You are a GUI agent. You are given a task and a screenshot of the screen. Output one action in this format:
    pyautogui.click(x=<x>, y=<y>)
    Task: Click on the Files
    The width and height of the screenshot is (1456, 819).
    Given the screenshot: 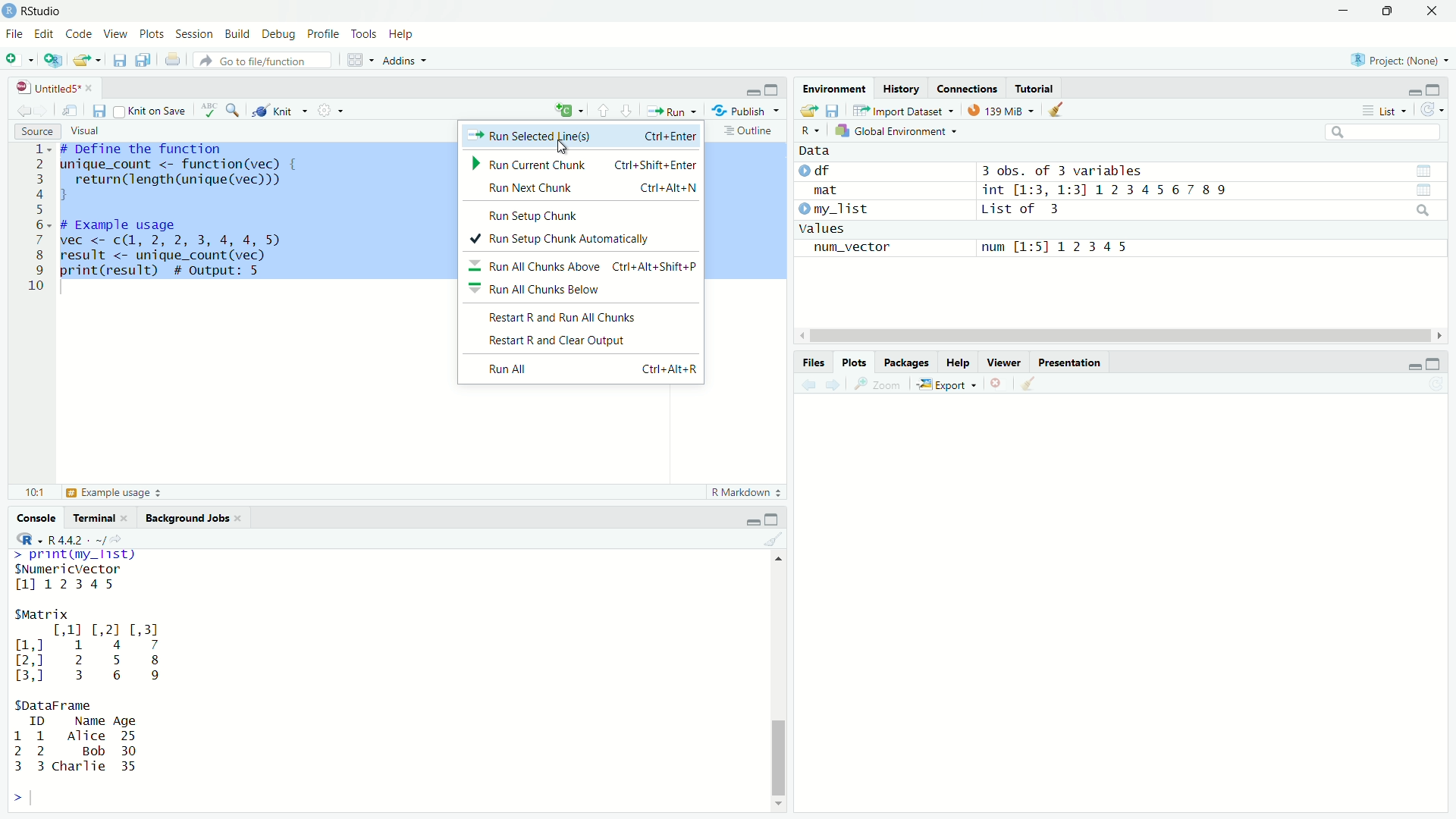 What is the action you would take?
    pyautogui.click(x=813, y=363)
    